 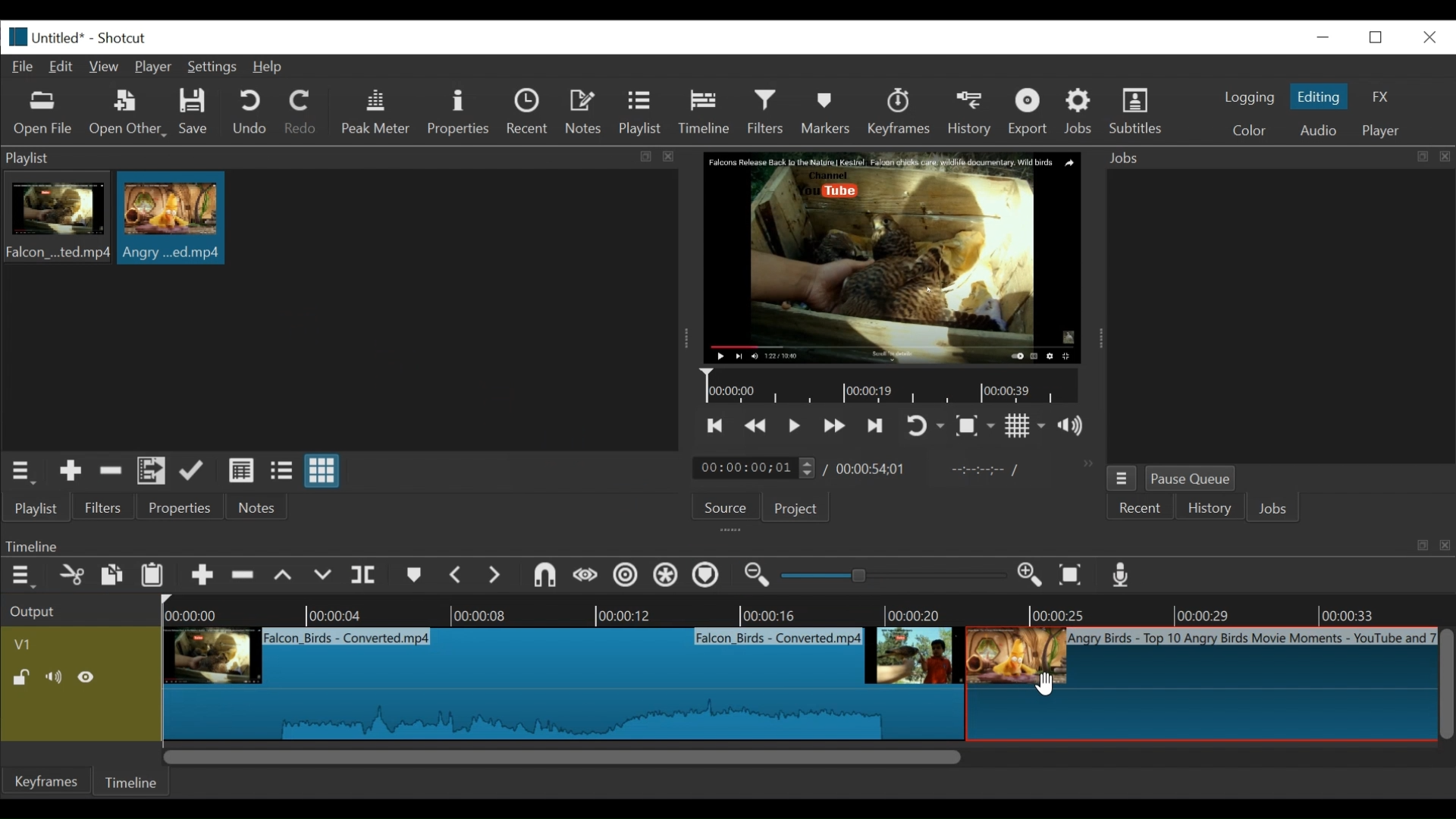 I want to click on Help, so click(x=268, y=67).